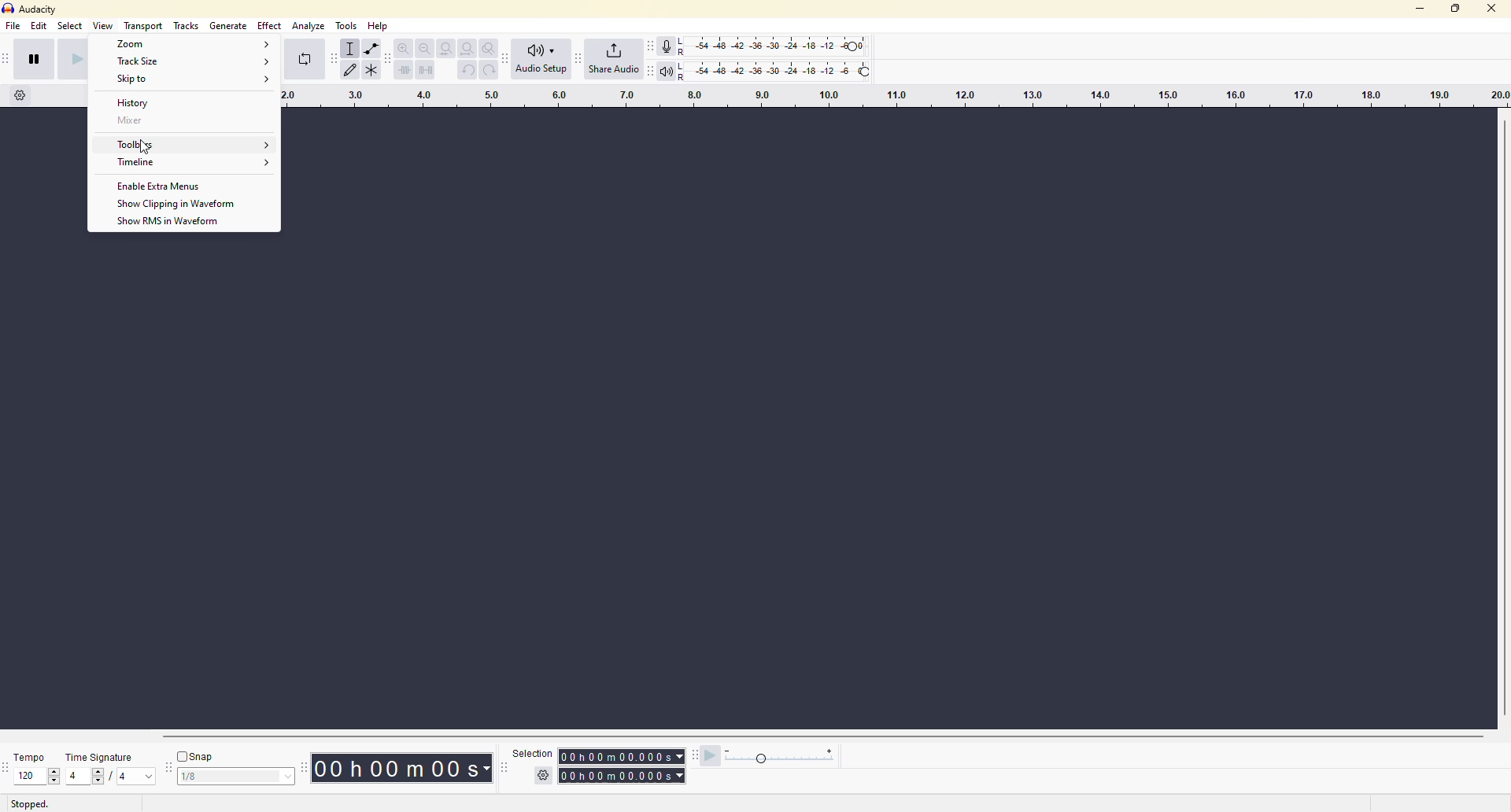 The width and height of the screenshot is (1511, 812). Describe the element at coordinates (187, 27) in the screenshot. I see `tracks` at that location.